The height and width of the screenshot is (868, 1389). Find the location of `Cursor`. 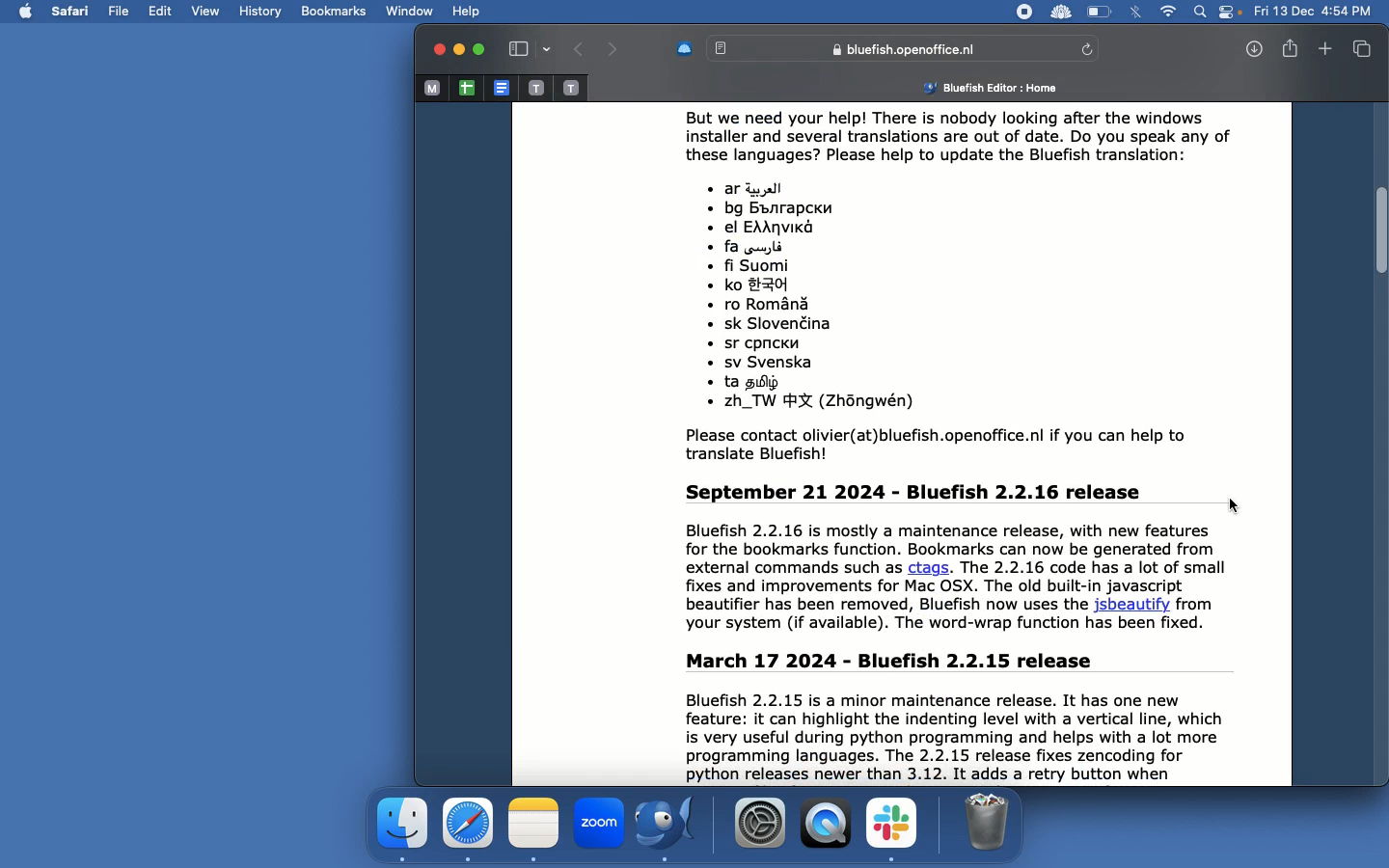

Cursor is located at coordinates (1235, 505).